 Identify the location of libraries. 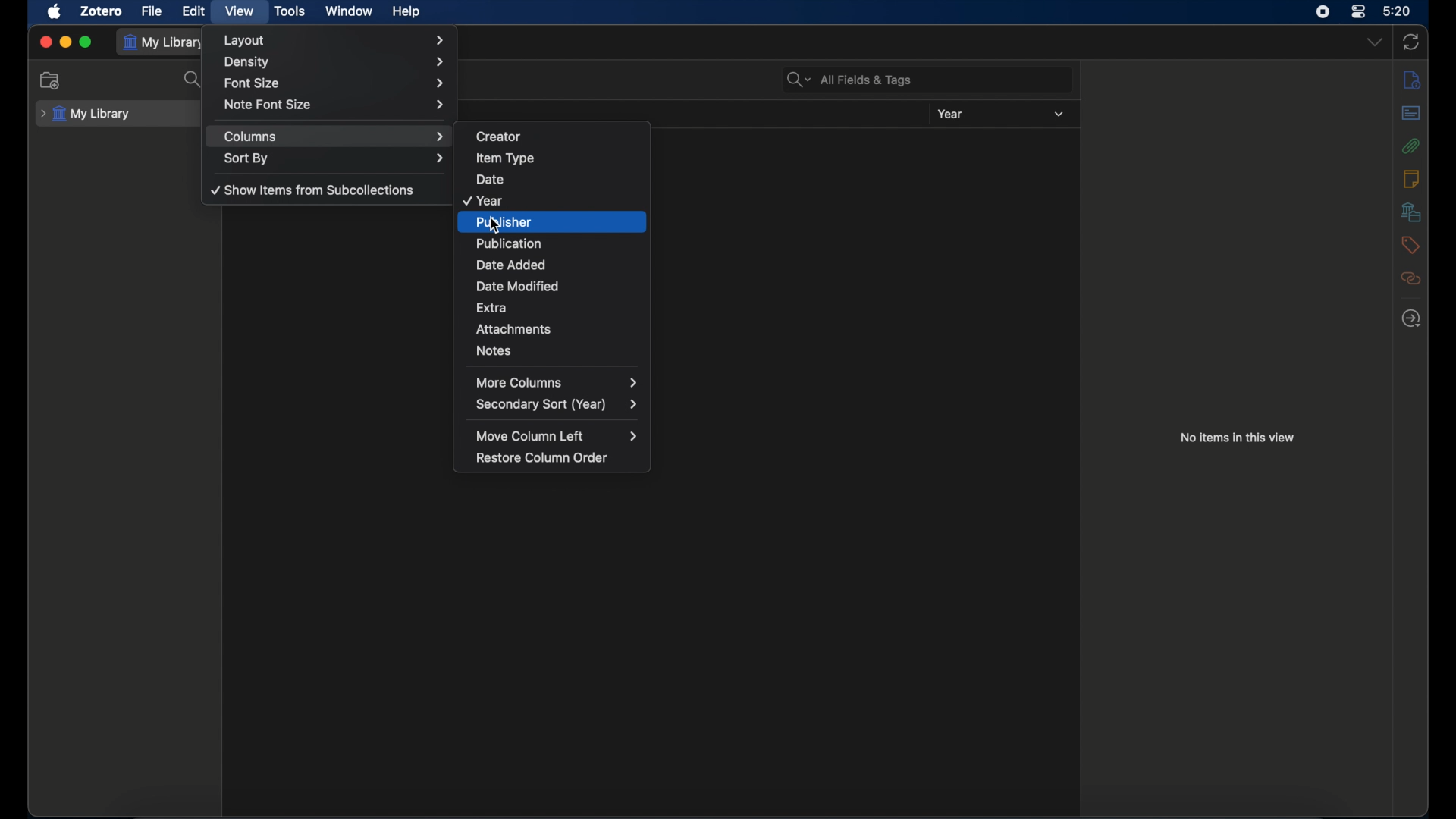
(1410, 212).